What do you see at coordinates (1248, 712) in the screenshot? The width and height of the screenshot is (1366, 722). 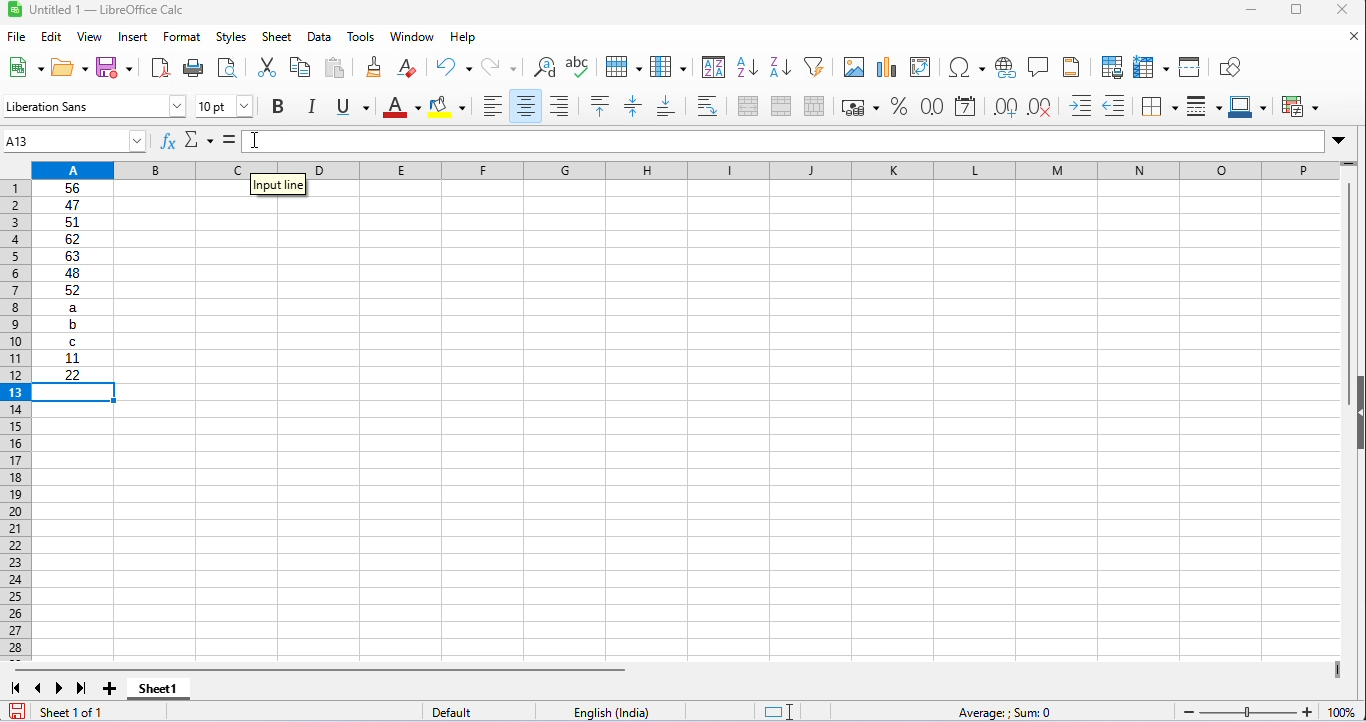 I see `Zoom slider` at bounding box center [1248, 712].